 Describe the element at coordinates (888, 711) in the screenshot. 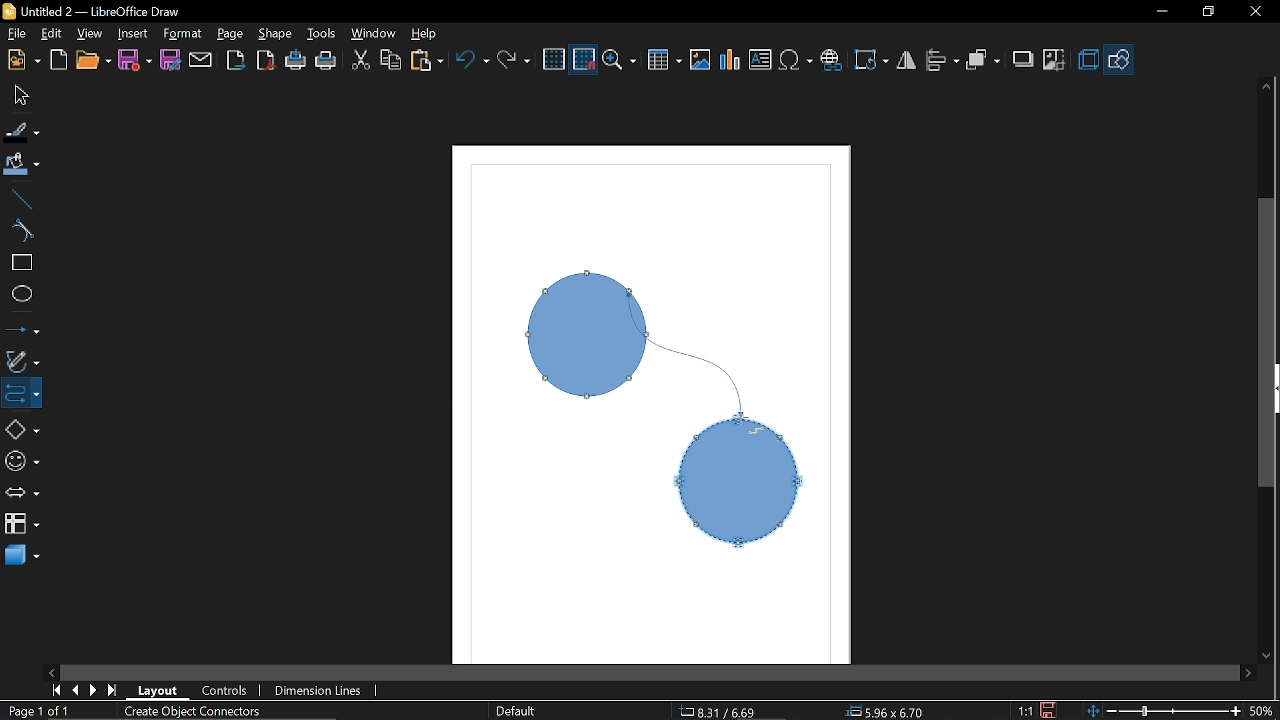

I see `Location` at that location.